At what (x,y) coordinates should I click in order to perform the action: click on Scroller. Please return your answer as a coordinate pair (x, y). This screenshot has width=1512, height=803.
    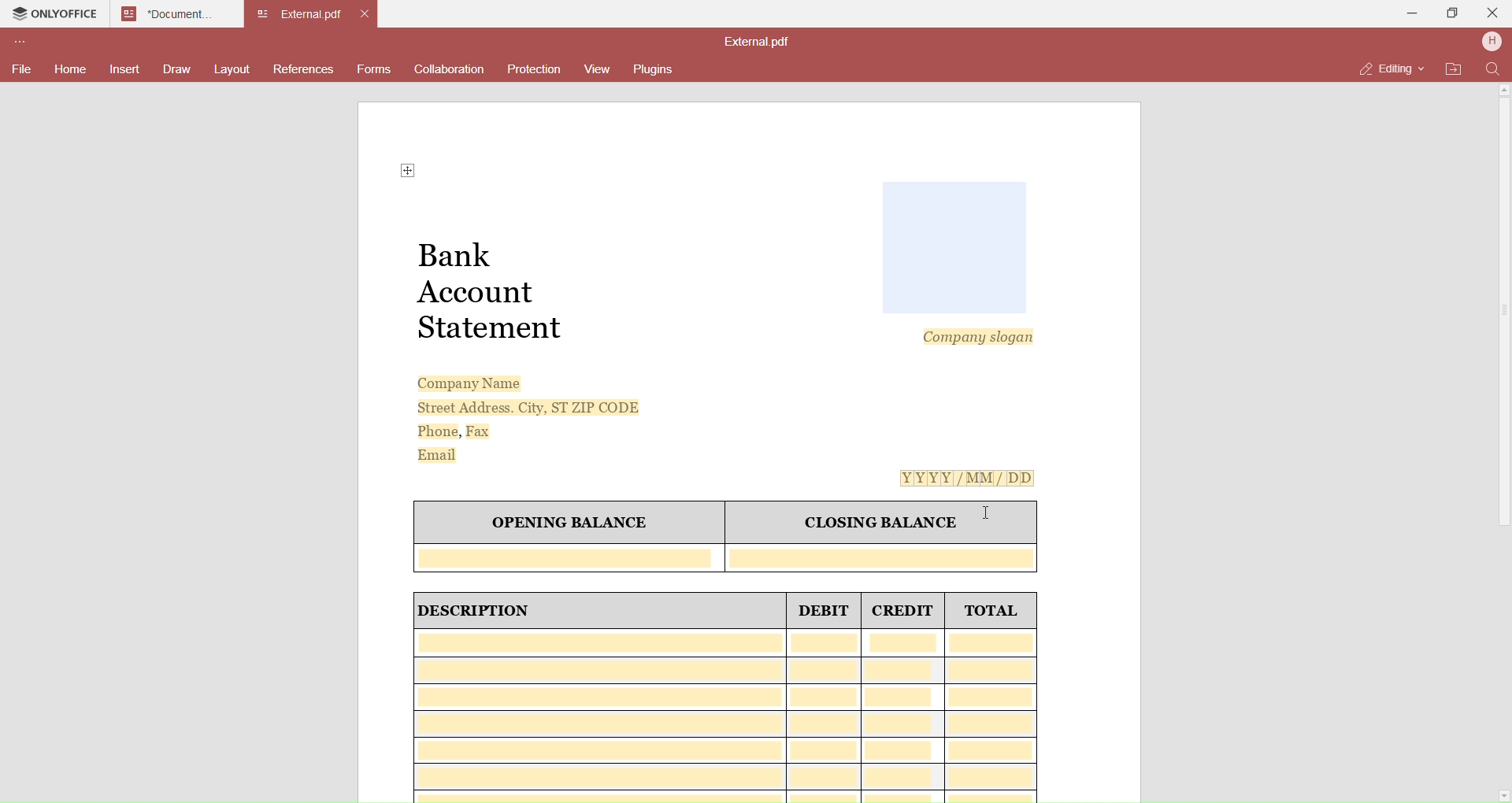
    Looking at the image, I should click on (1509, 445).